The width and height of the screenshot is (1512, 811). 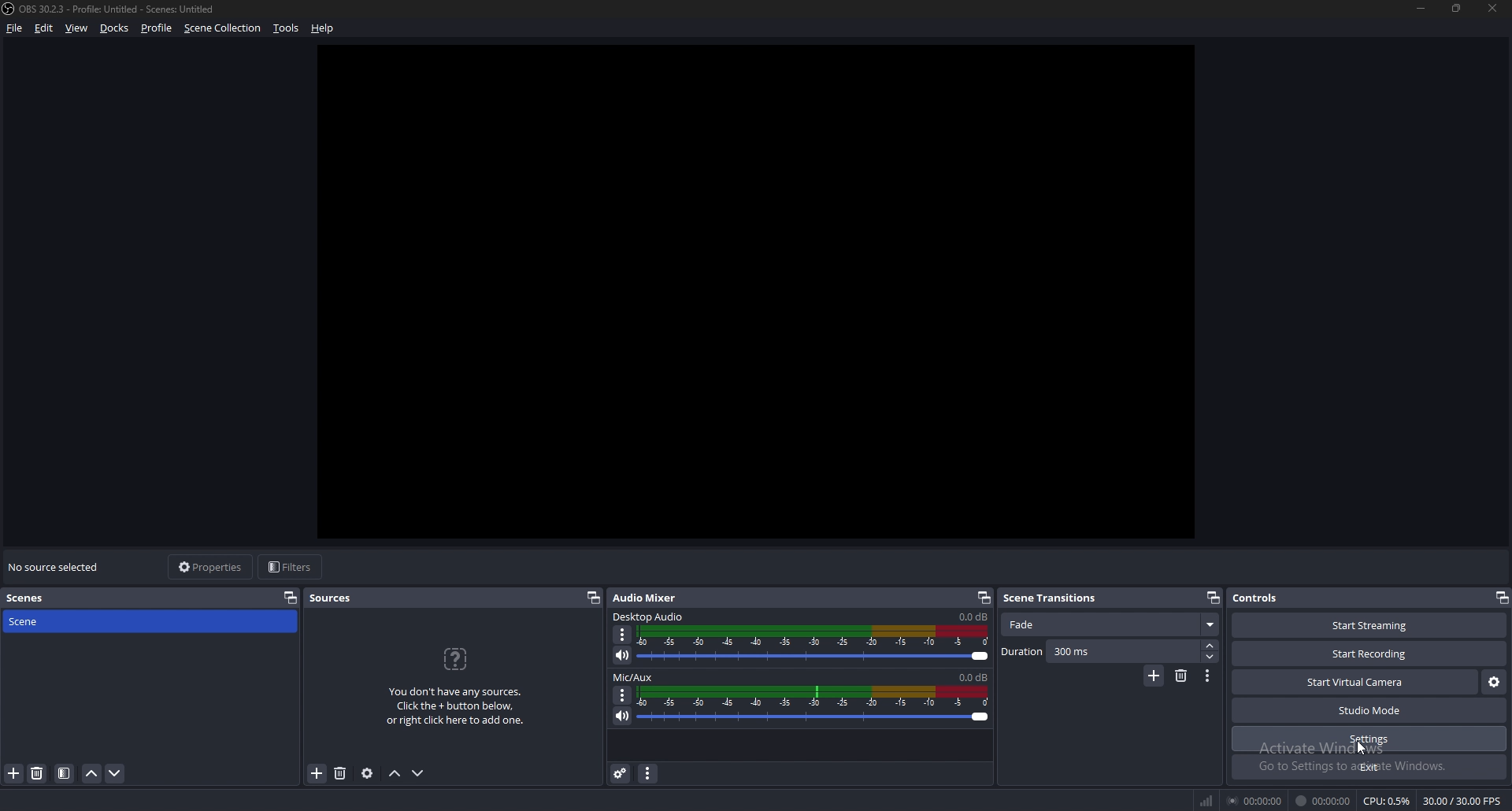 I want to click on advanced audio properties, so click(x=622, y=773).